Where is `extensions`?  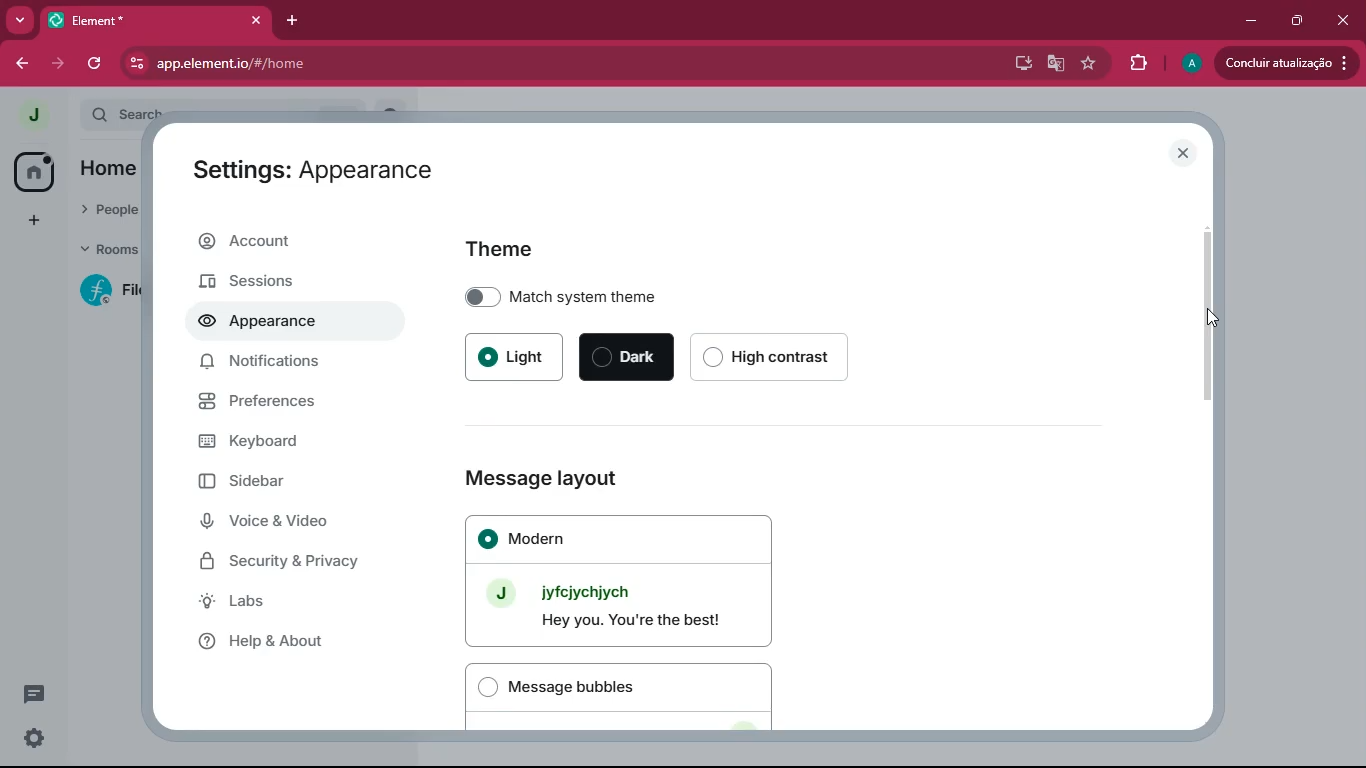 extensions is located at coordinates (1138, 61).